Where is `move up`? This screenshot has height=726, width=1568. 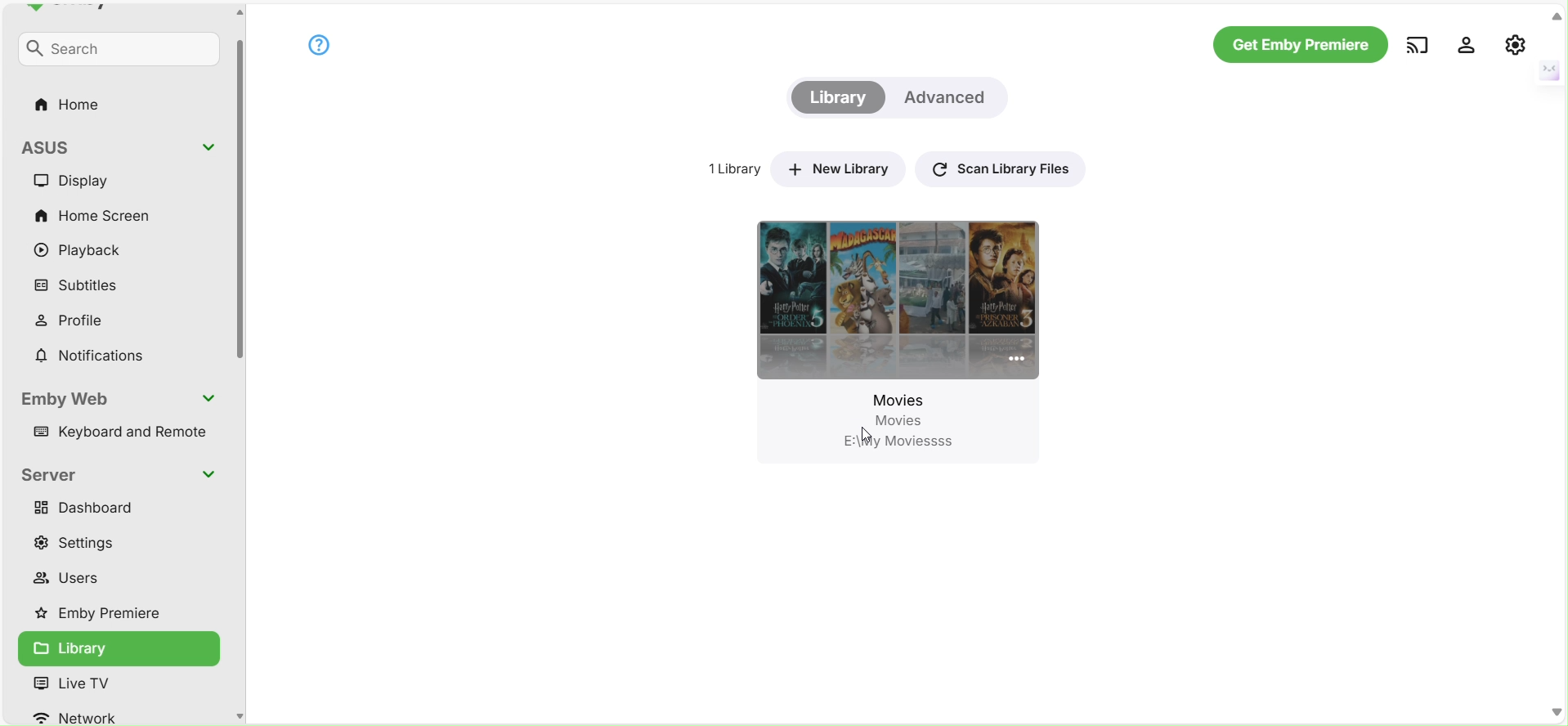
move up is located at coordinates (239, 12).